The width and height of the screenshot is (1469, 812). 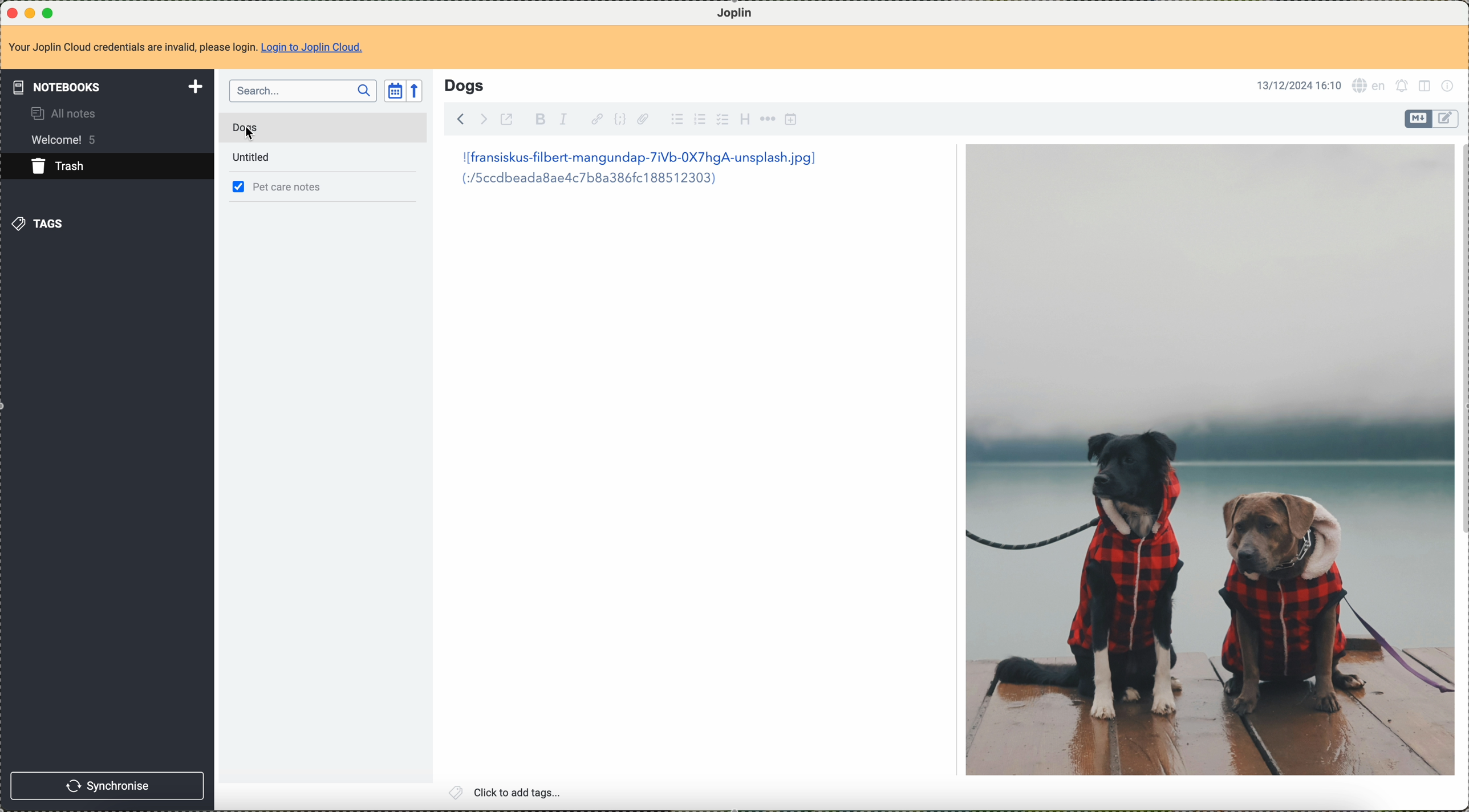 I want to click on code, so click(x=620, y=120).